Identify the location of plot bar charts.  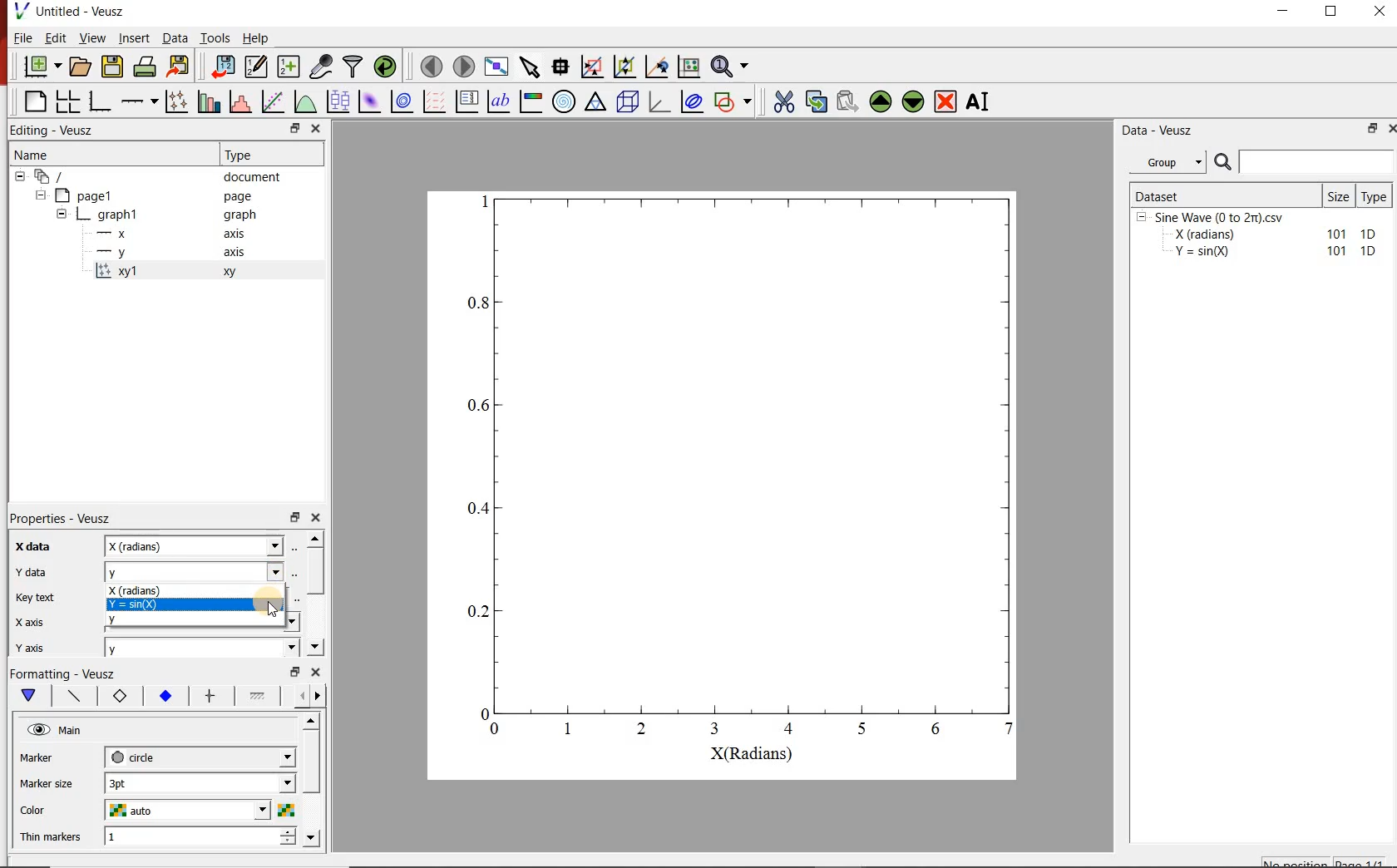
(211, 100).